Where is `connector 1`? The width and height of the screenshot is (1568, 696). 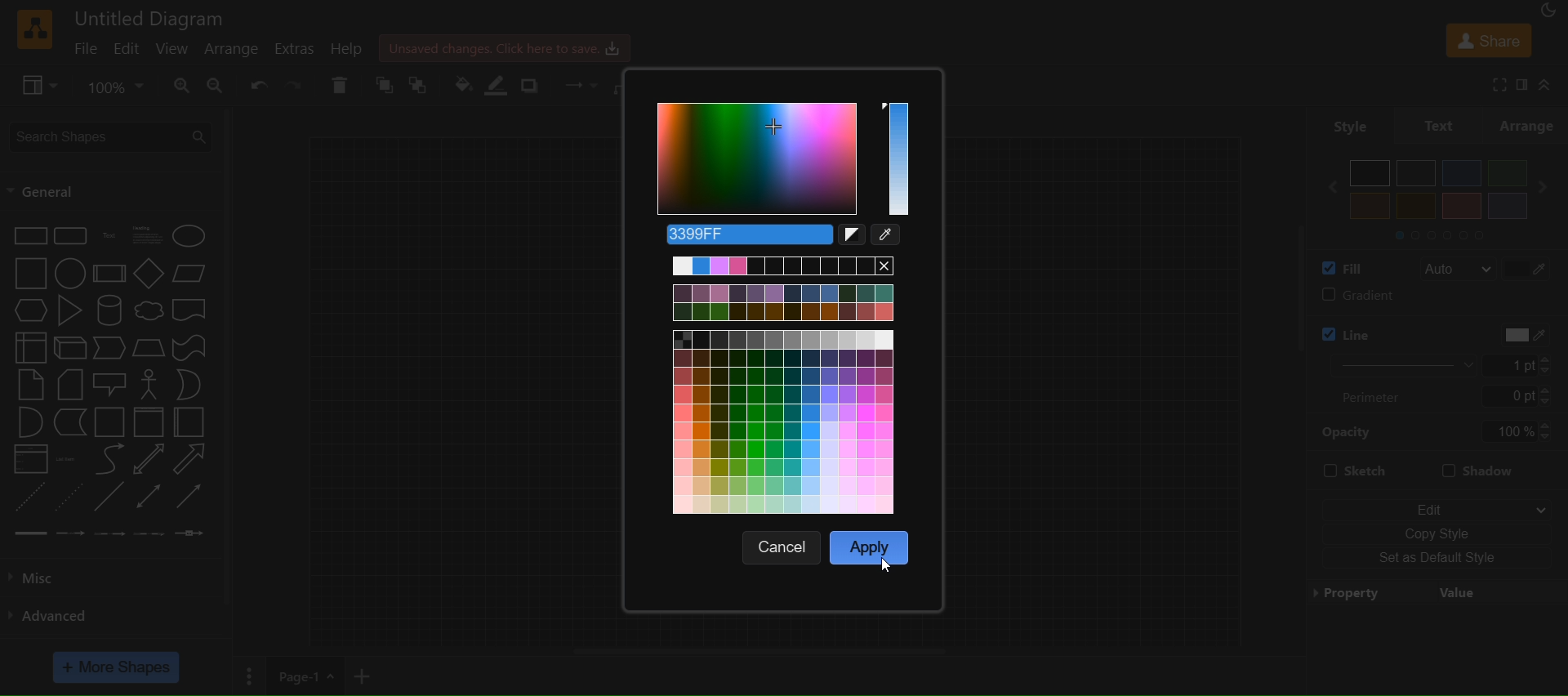 connector 1 is located at coordinates (29, 533).